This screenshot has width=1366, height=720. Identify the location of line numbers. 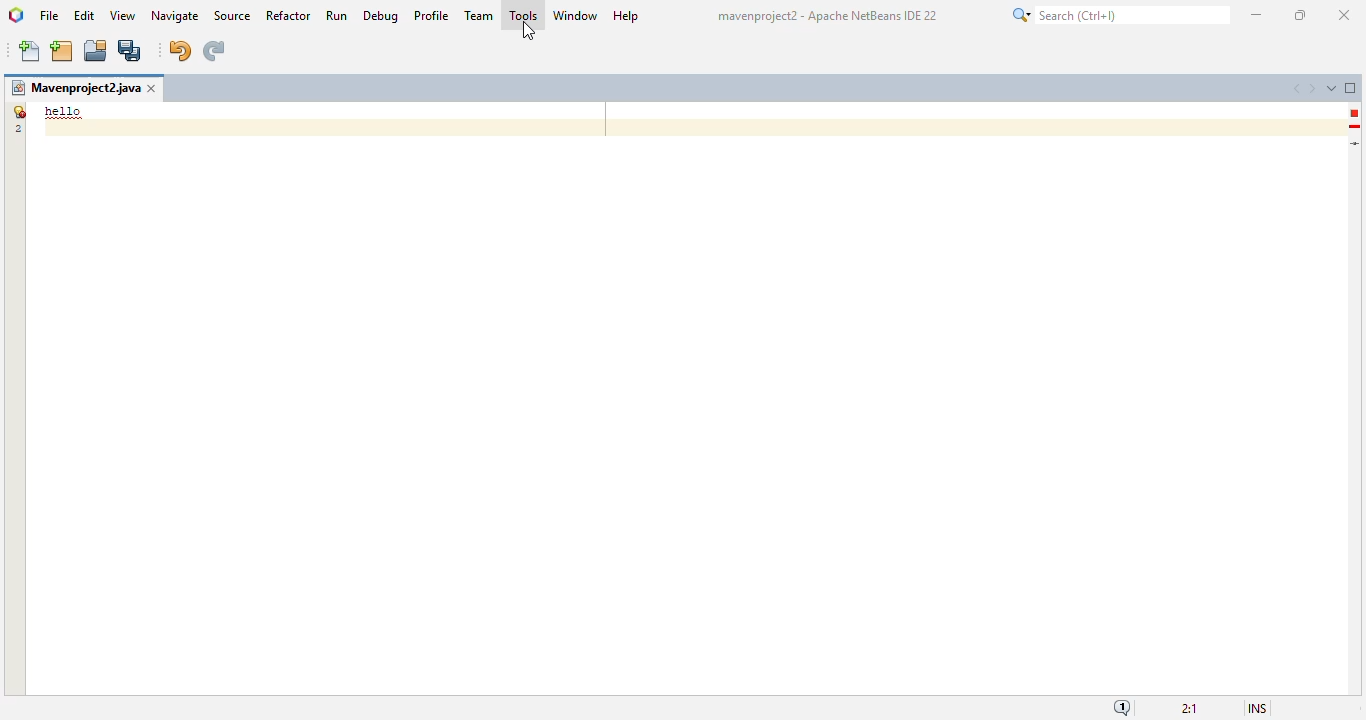
(17, 119).